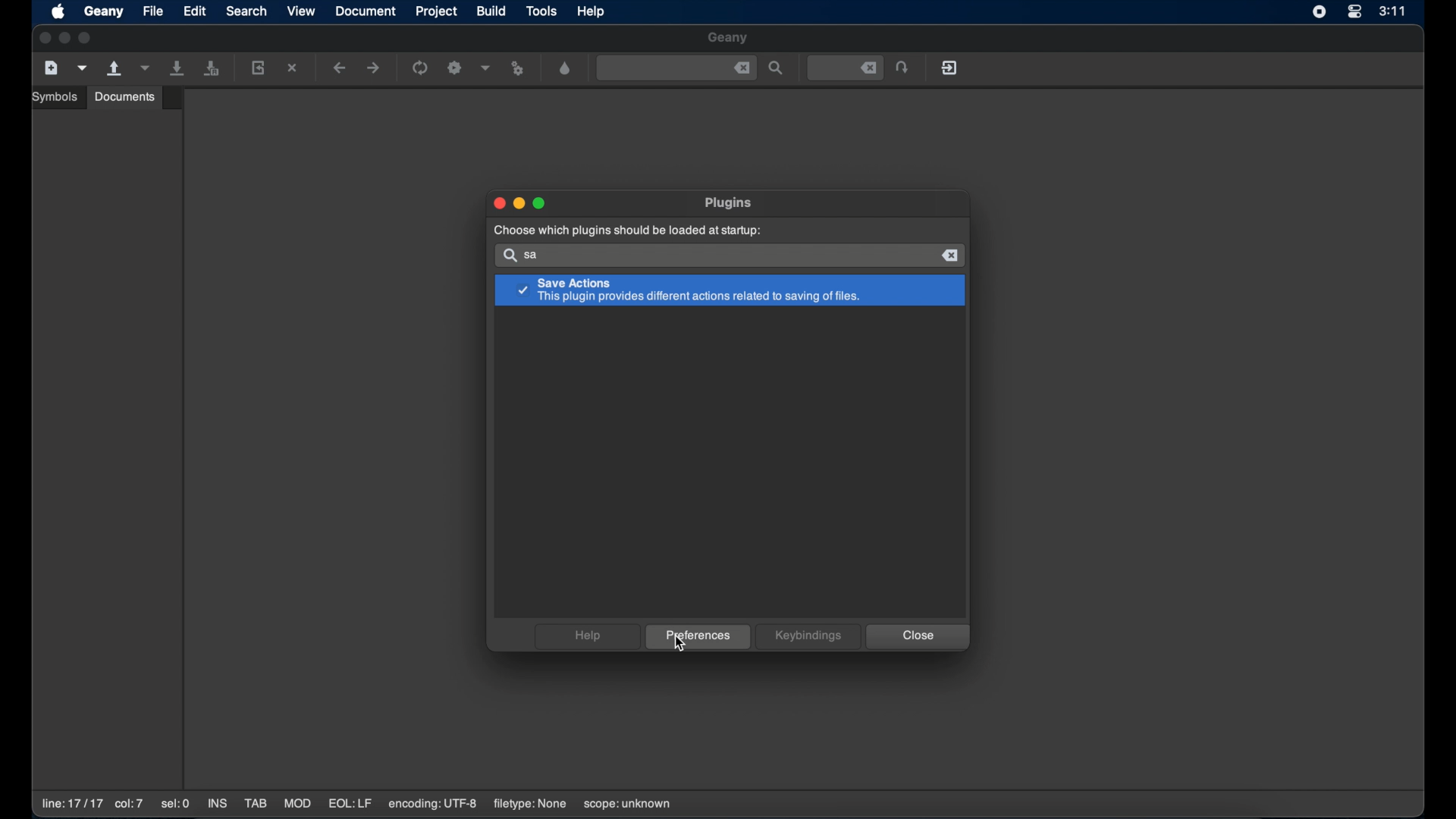 The image size is (1456, 819). Describe the element at coordinates (566, 69) in the screenshot. I see `open a color chooser dialogue` at that location.